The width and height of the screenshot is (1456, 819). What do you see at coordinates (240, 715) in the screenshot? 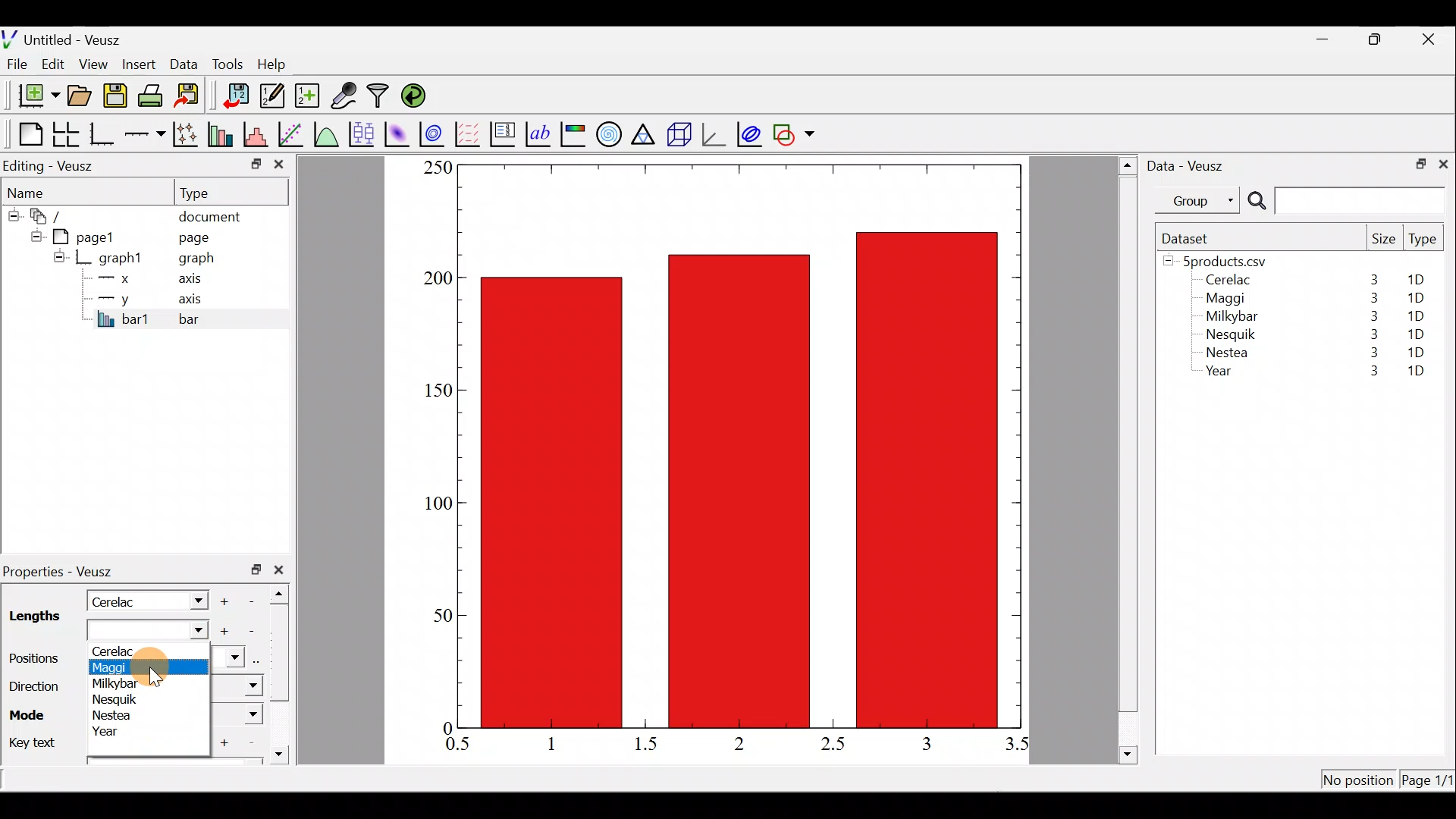
I see `mode dropdown` at bounding box center [240, 715].